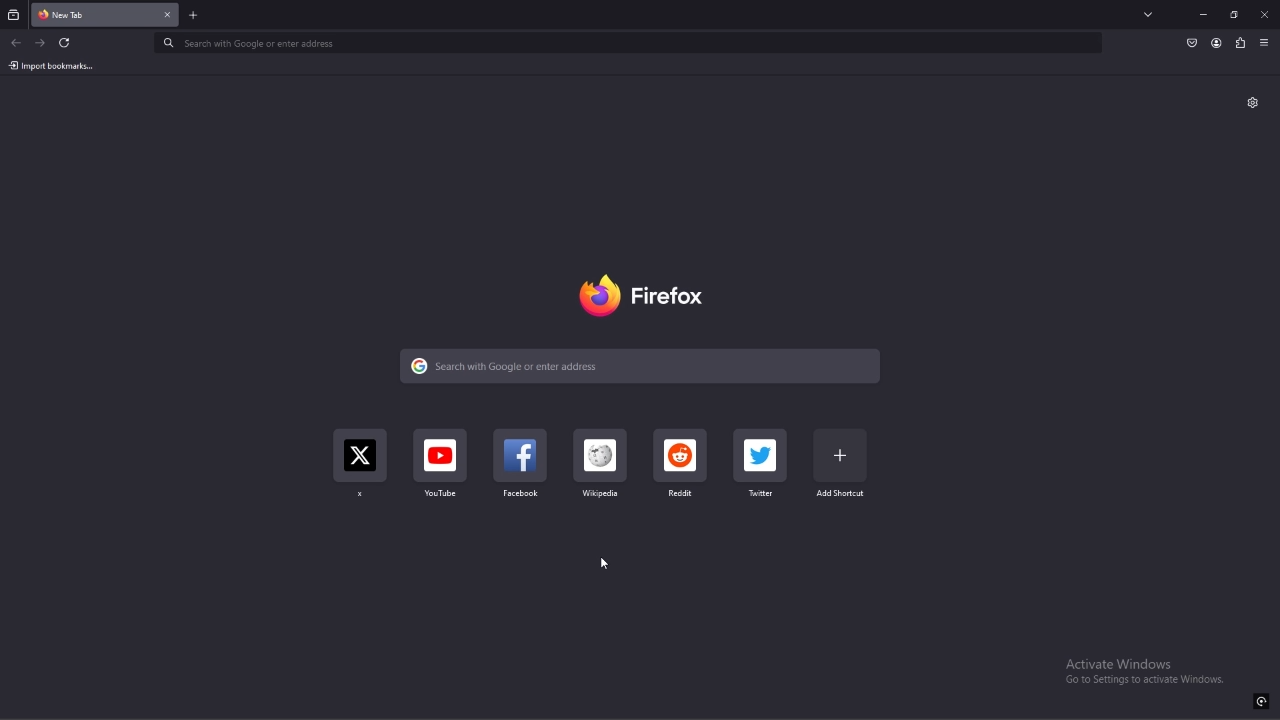 The width and height of the screenshot is (1280, 720). What do you see at coordinates (14, 16) in the screenshot?
I see `recent browsing` at bounding box center [14, 16].